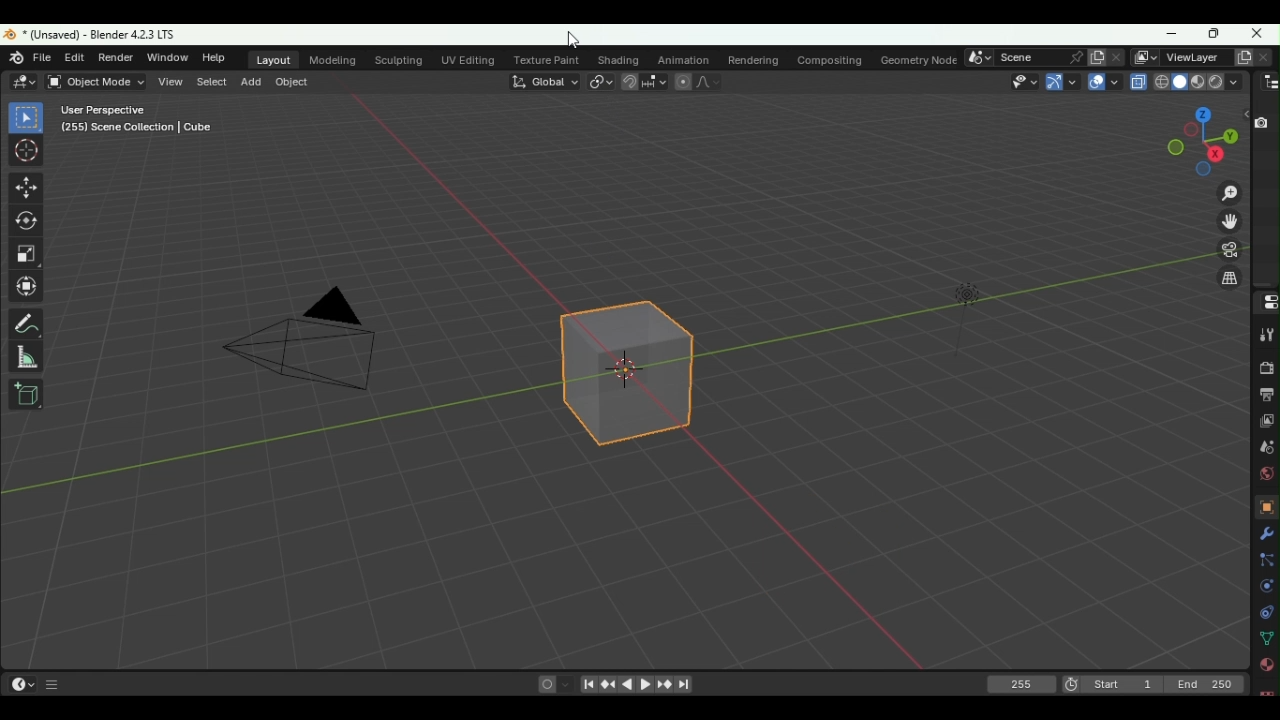 This screenshot has width=1280, height=720. I want to click on Final frame of the playback/rendering range, so click(1203, 685).